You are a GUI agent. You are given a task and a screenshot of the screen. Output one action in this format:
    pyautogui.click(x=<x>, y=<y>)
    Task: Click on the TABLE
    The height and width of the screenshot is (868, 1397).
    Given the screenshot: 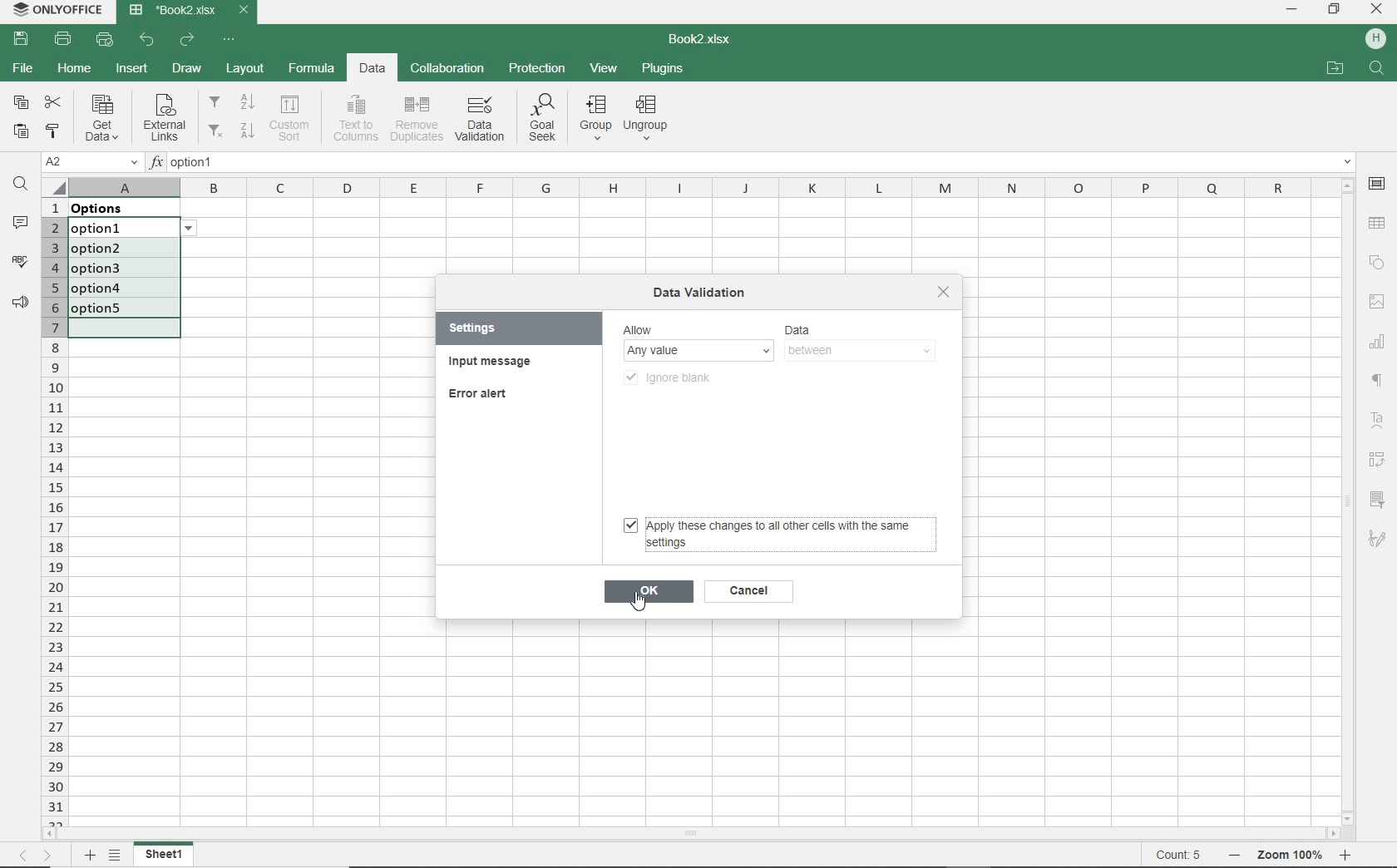 What is the action you would take?
    pyautogui.click(x=1376, y=224)
    